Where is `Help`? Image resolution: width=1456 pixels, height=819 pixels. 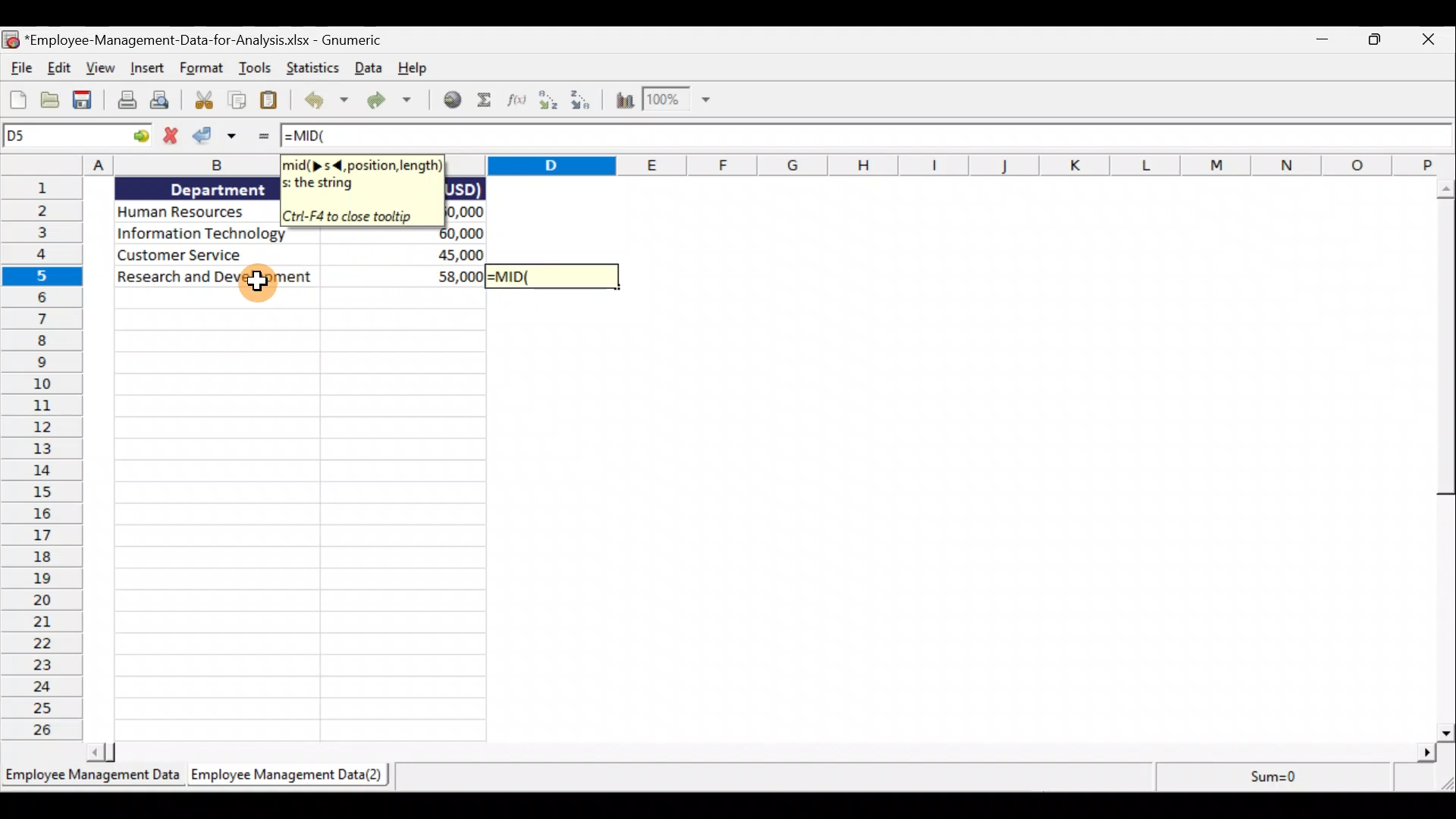
Help is located at coordinates (412, 69).